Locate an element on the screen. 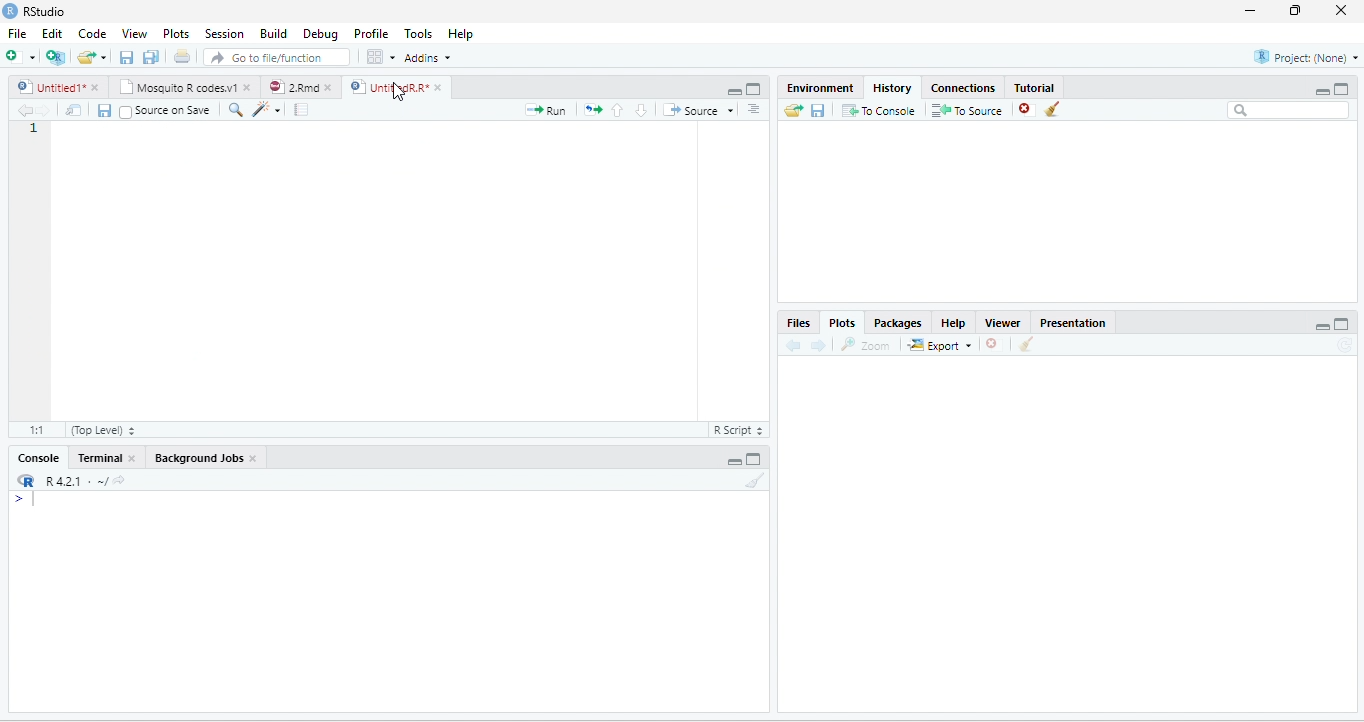  Viewer is located at coordinates (1004, 322).